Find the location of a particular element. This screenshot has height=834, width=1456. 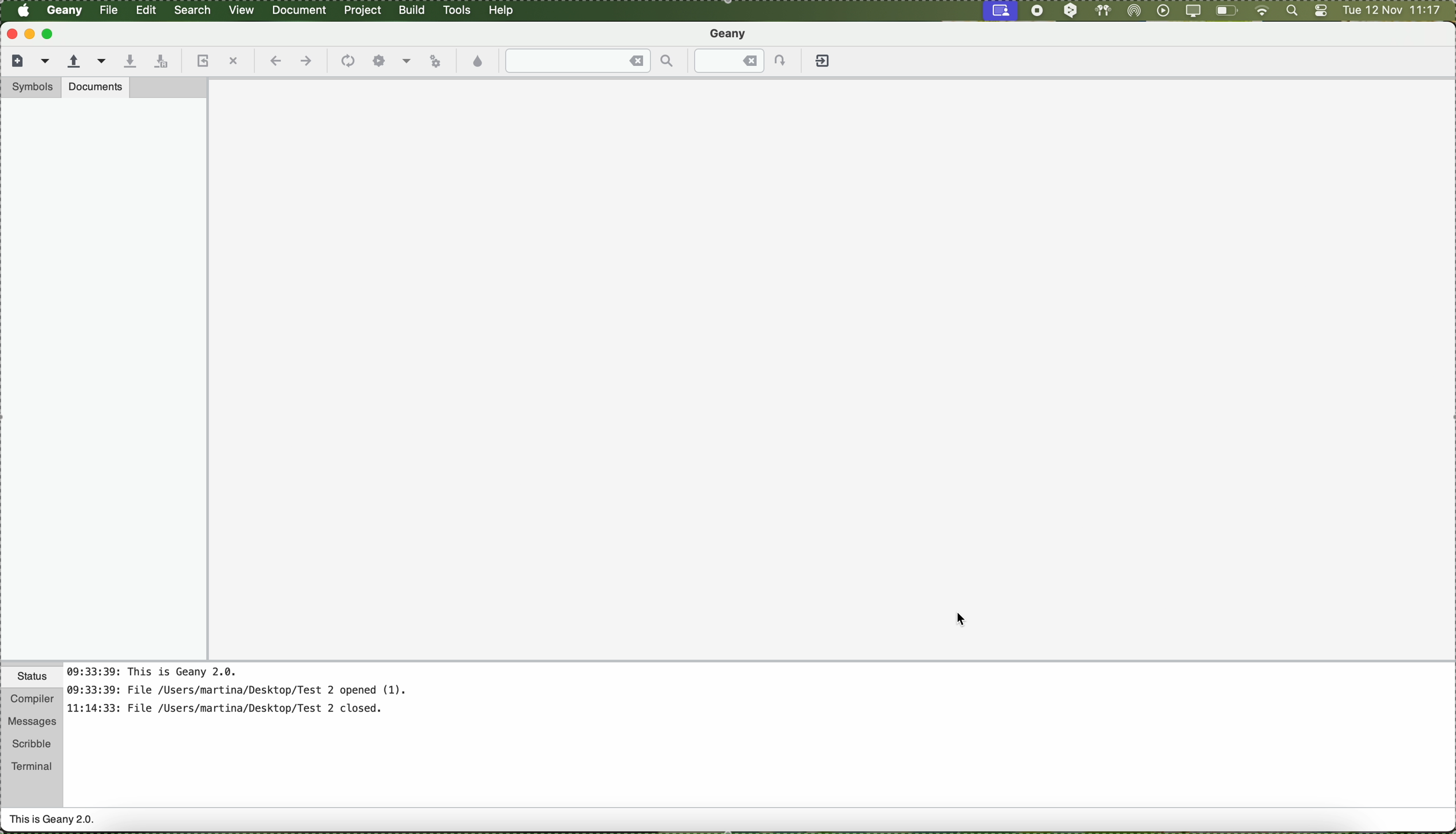

new file is located at coordinates (15, 60).